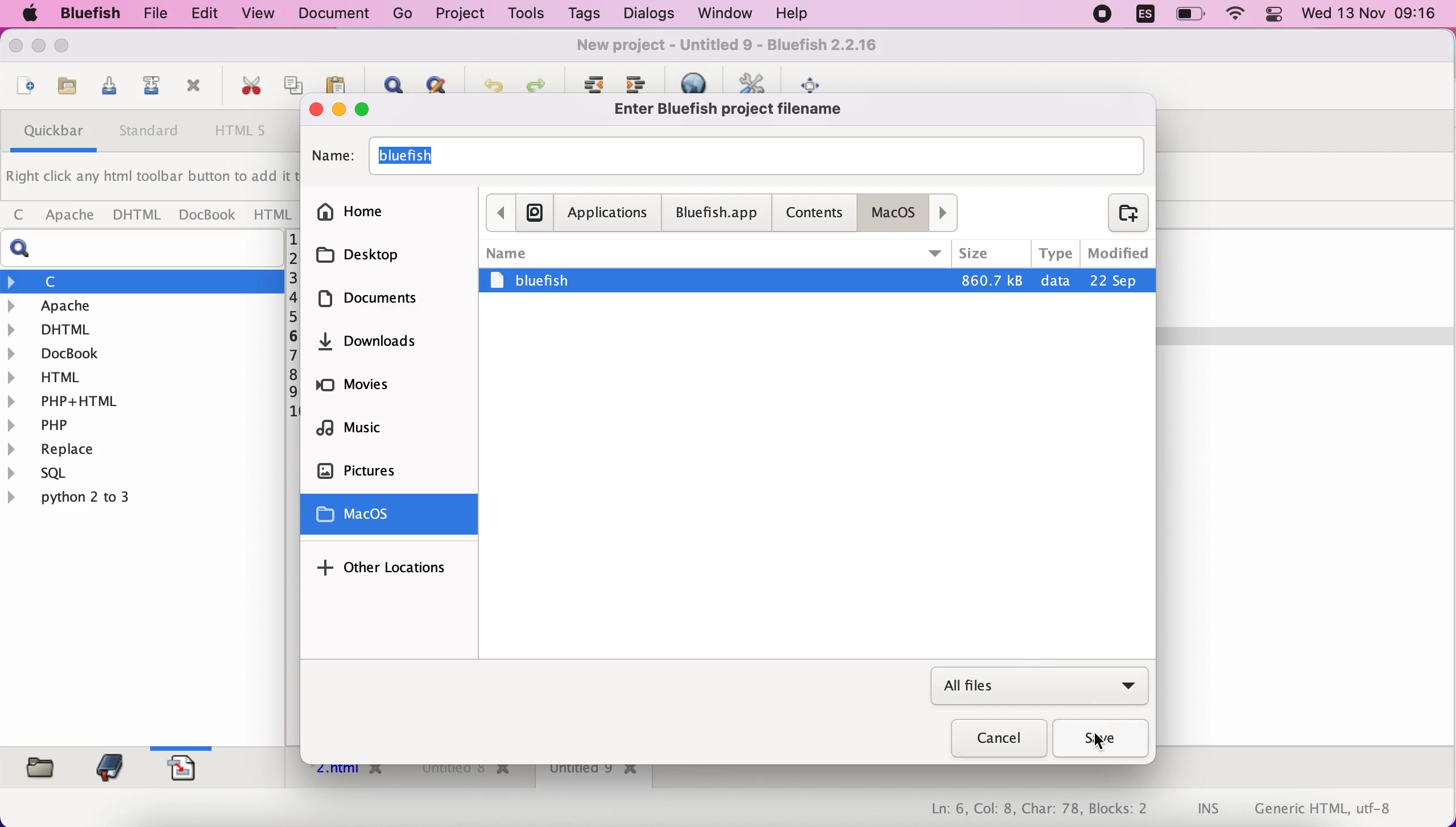 This screenshot has height=827, width=1456. What do you see at coordinates (394, 432) in the screenshot?
I see `music` at bounding box center [394, 432].